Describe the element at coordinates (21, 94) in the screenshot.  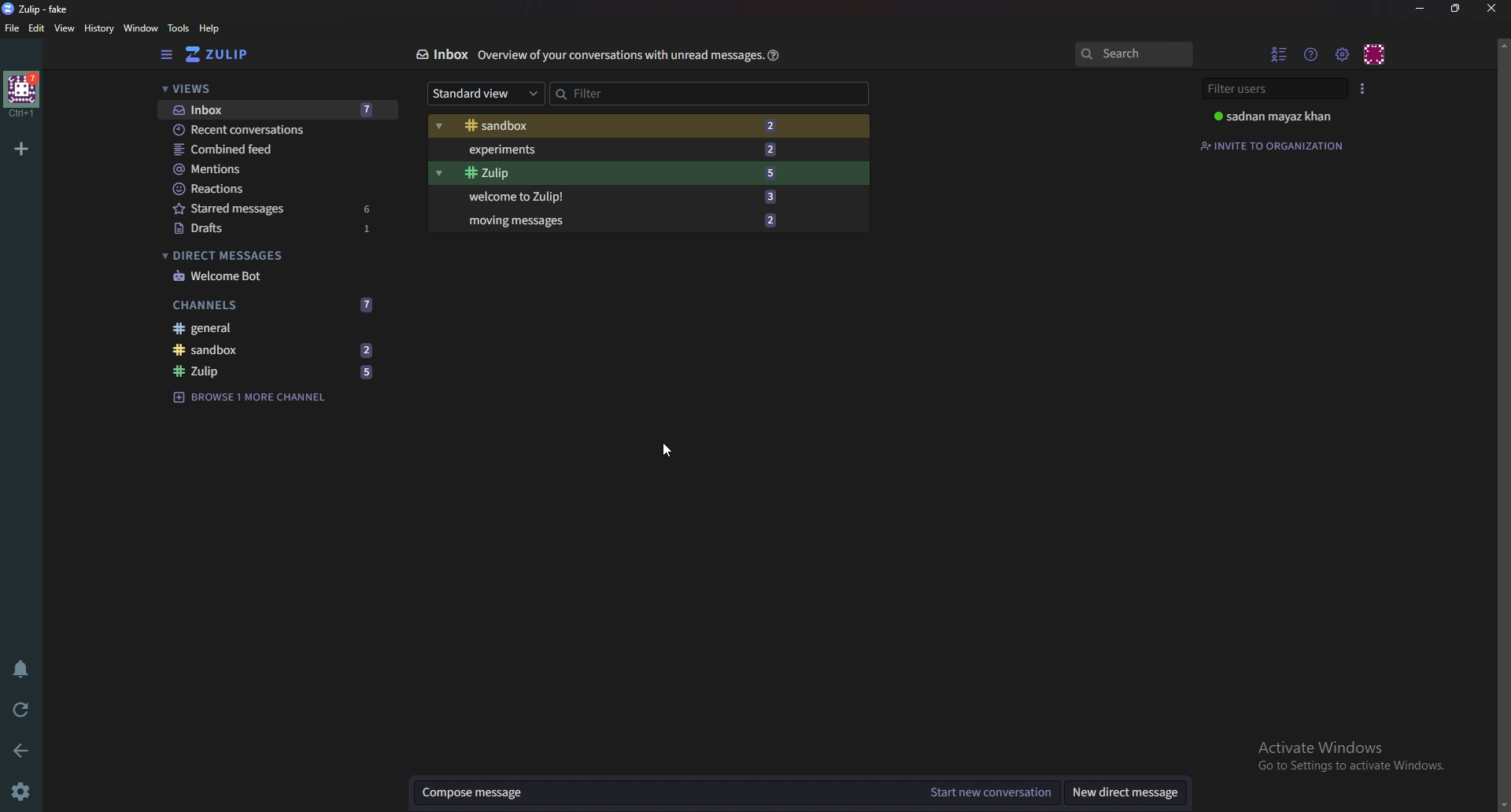
I see `home` at that location.